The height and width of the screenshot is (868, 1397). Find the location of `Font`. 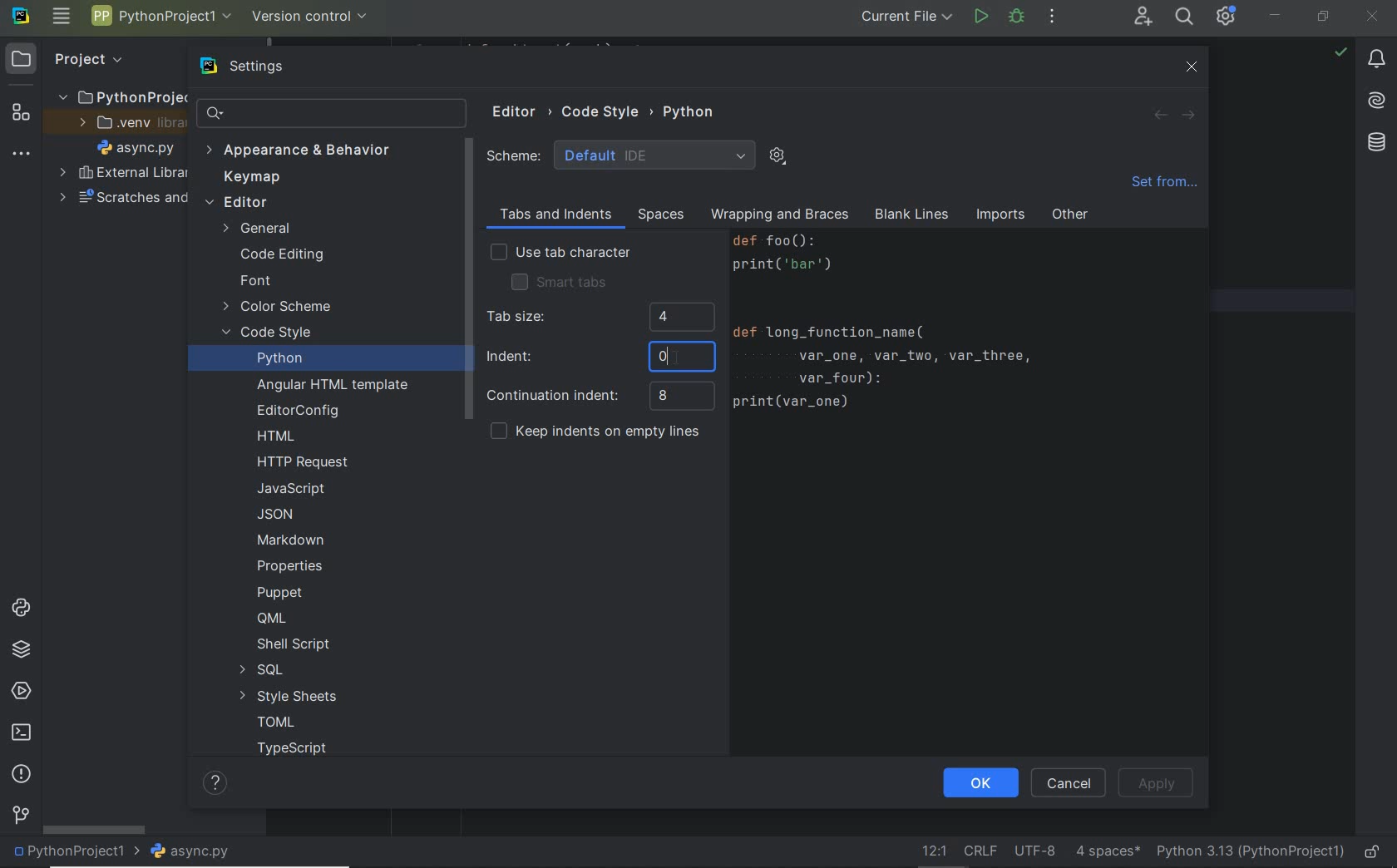

Font is located at coordinates (254, 281).